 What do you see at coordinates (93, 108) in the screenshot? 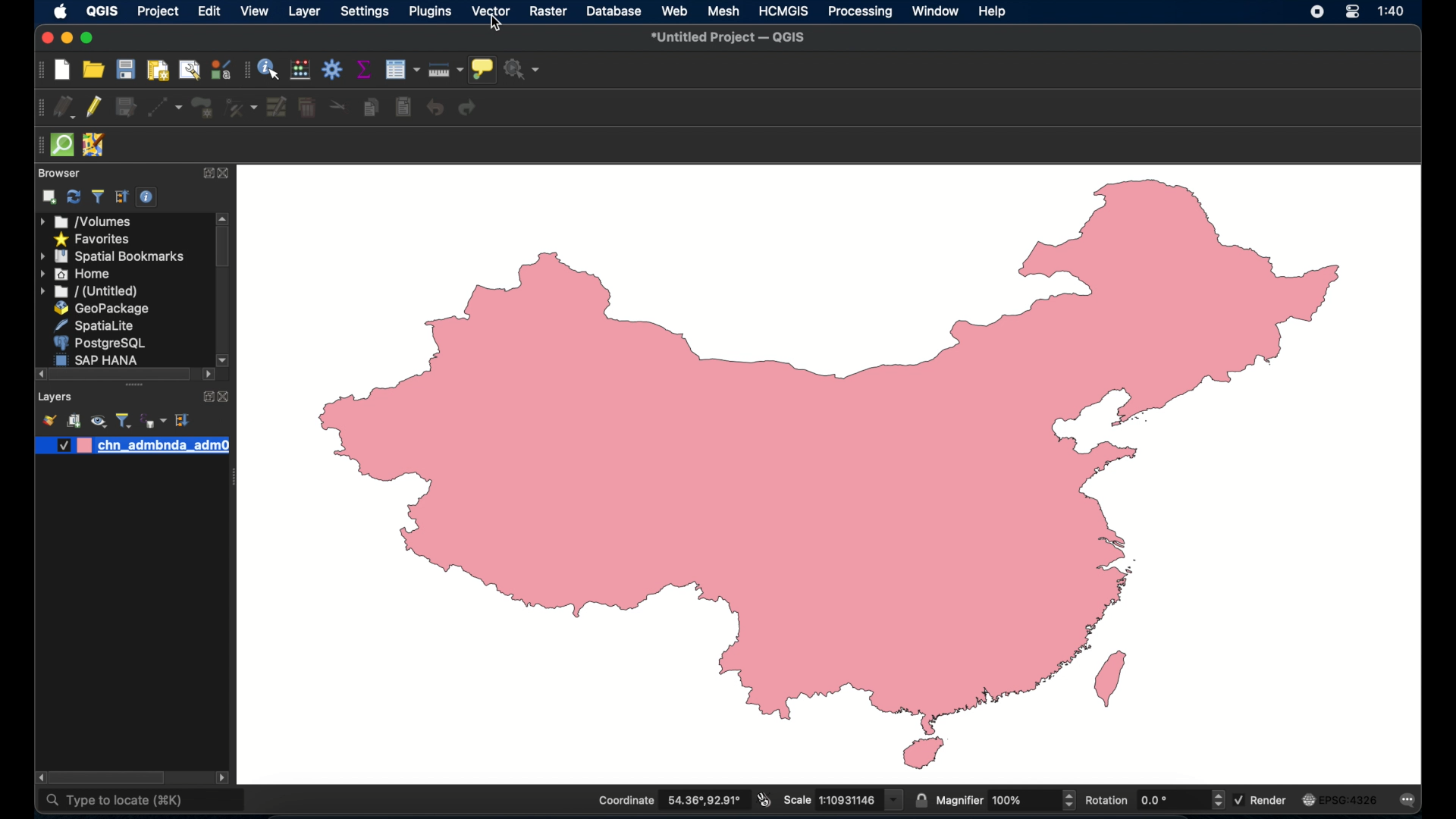
I see `toggle editing` at bounding box center [93, 108].